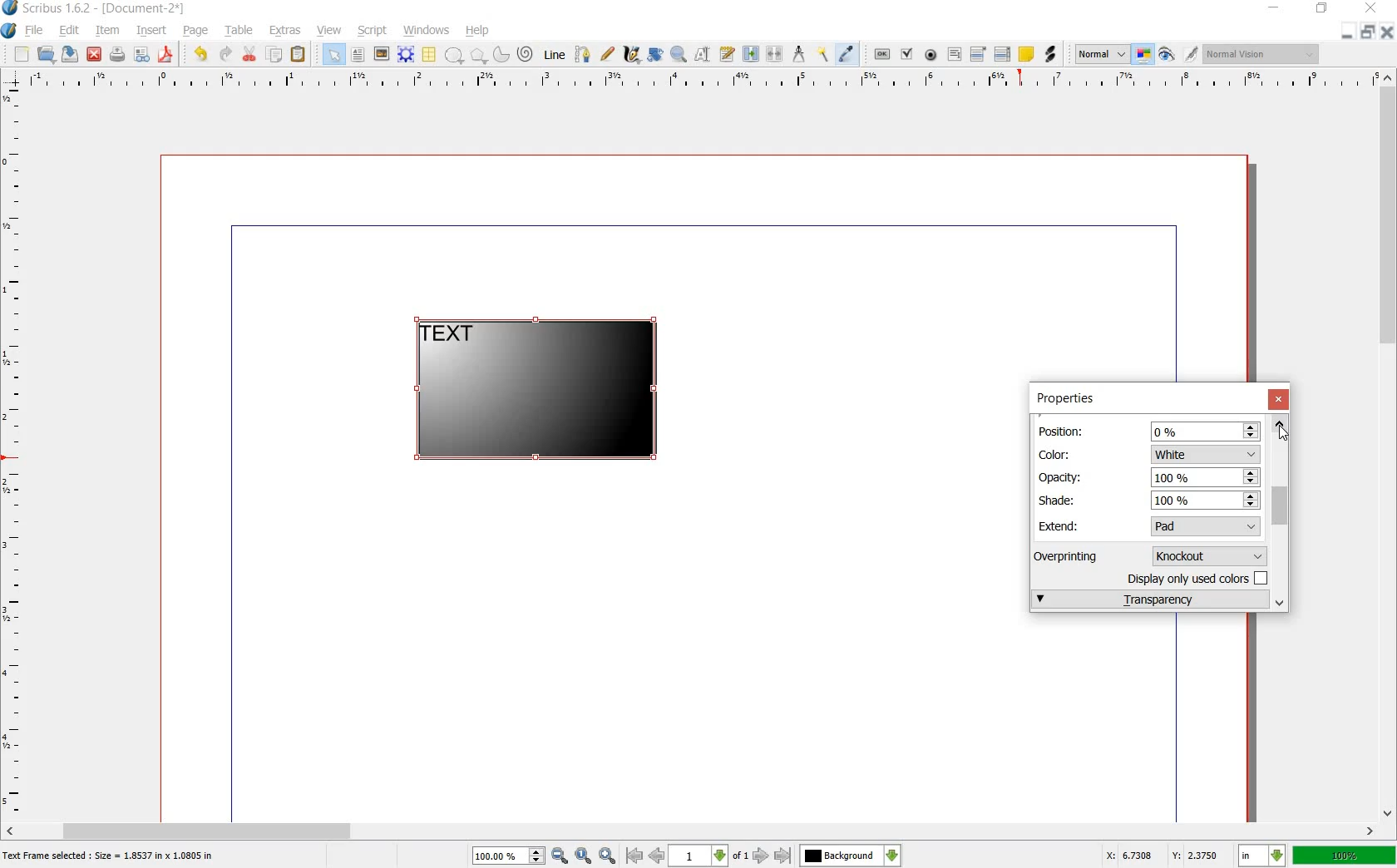 The image size is (1397, 868). I want to click on freehand line, so click(607, 53).